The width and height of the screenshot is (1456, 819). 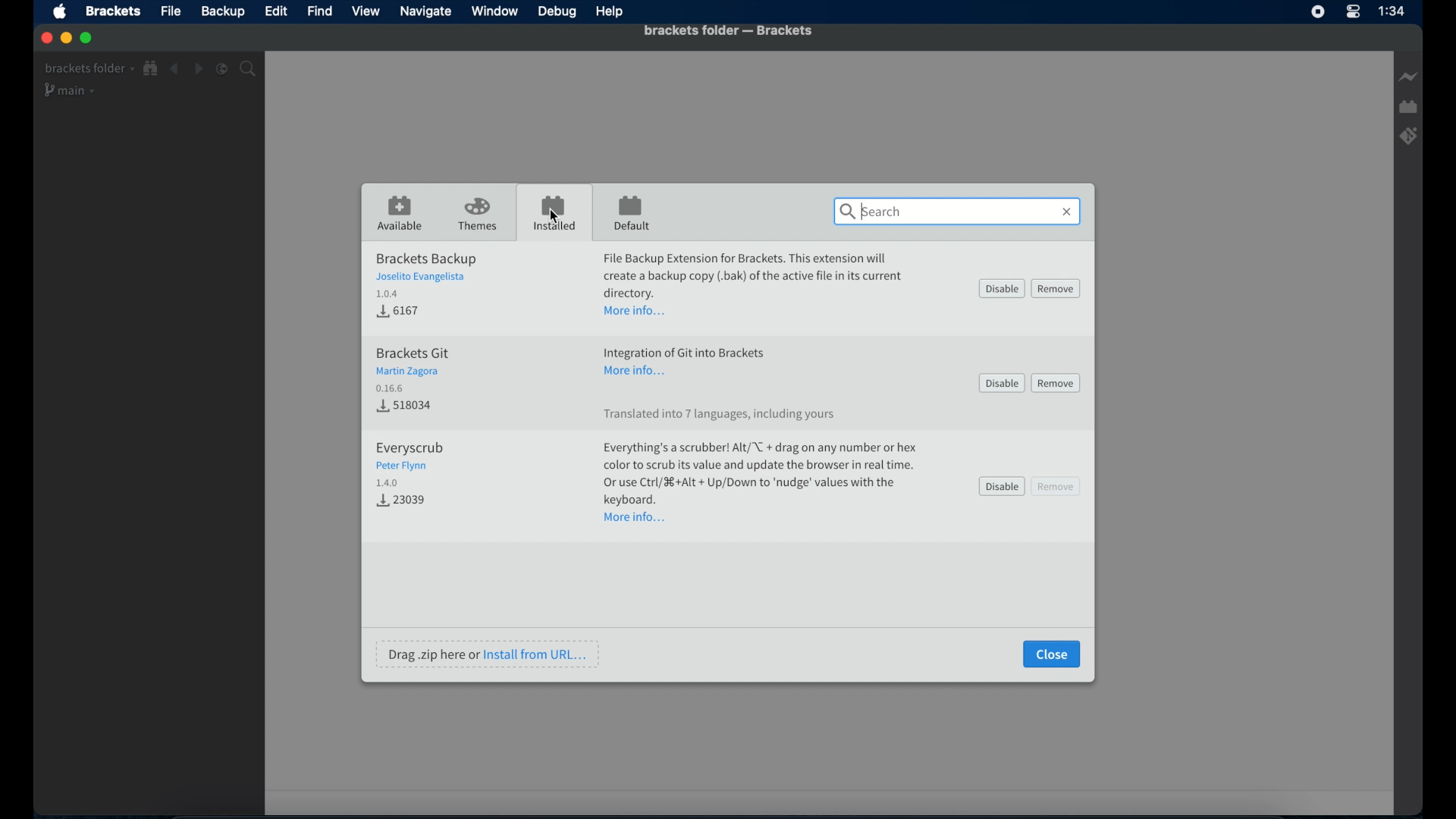 I want to click on remove, so click(x=1056, y=485).